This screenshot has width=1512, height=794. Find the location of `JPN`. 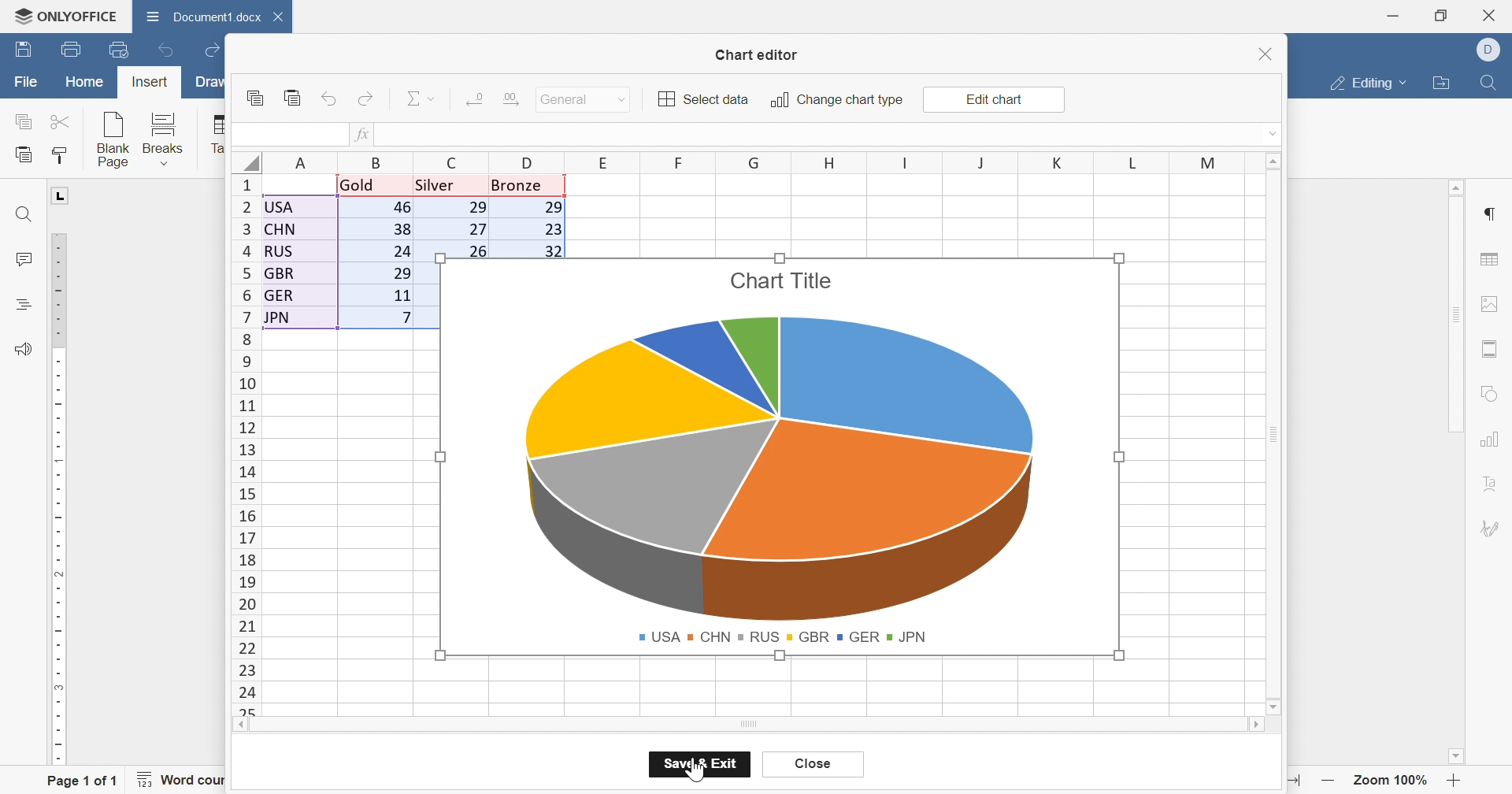

JPN is located at coordinates (910, 636).